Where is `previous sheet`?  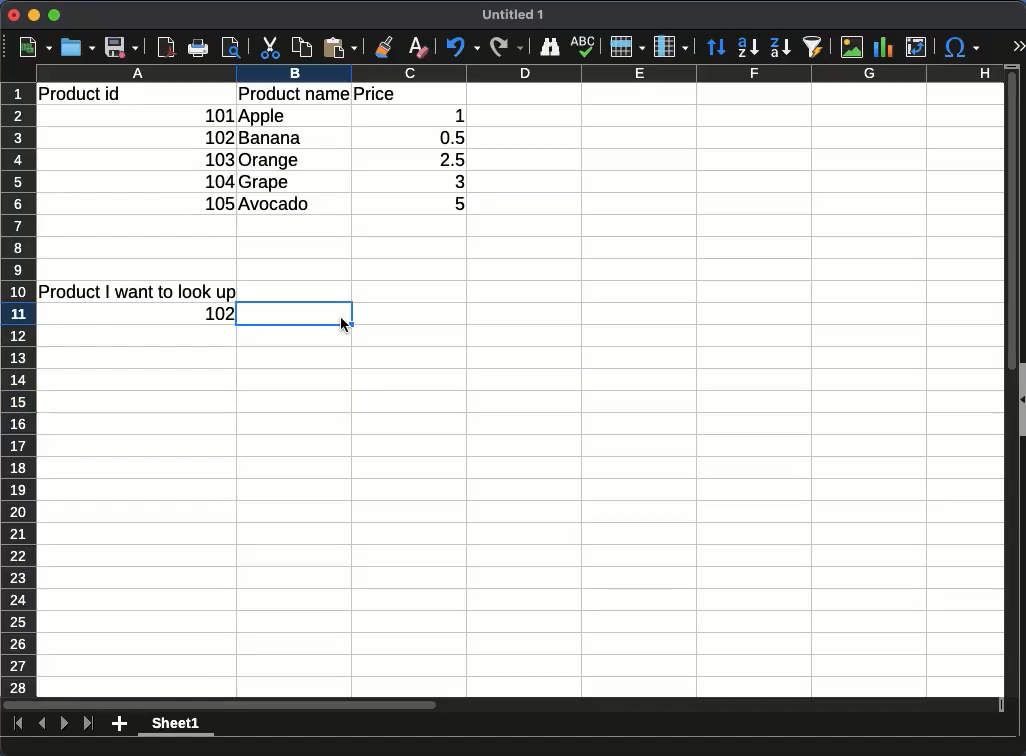 previous sheet is located at coordinates (42, 724).